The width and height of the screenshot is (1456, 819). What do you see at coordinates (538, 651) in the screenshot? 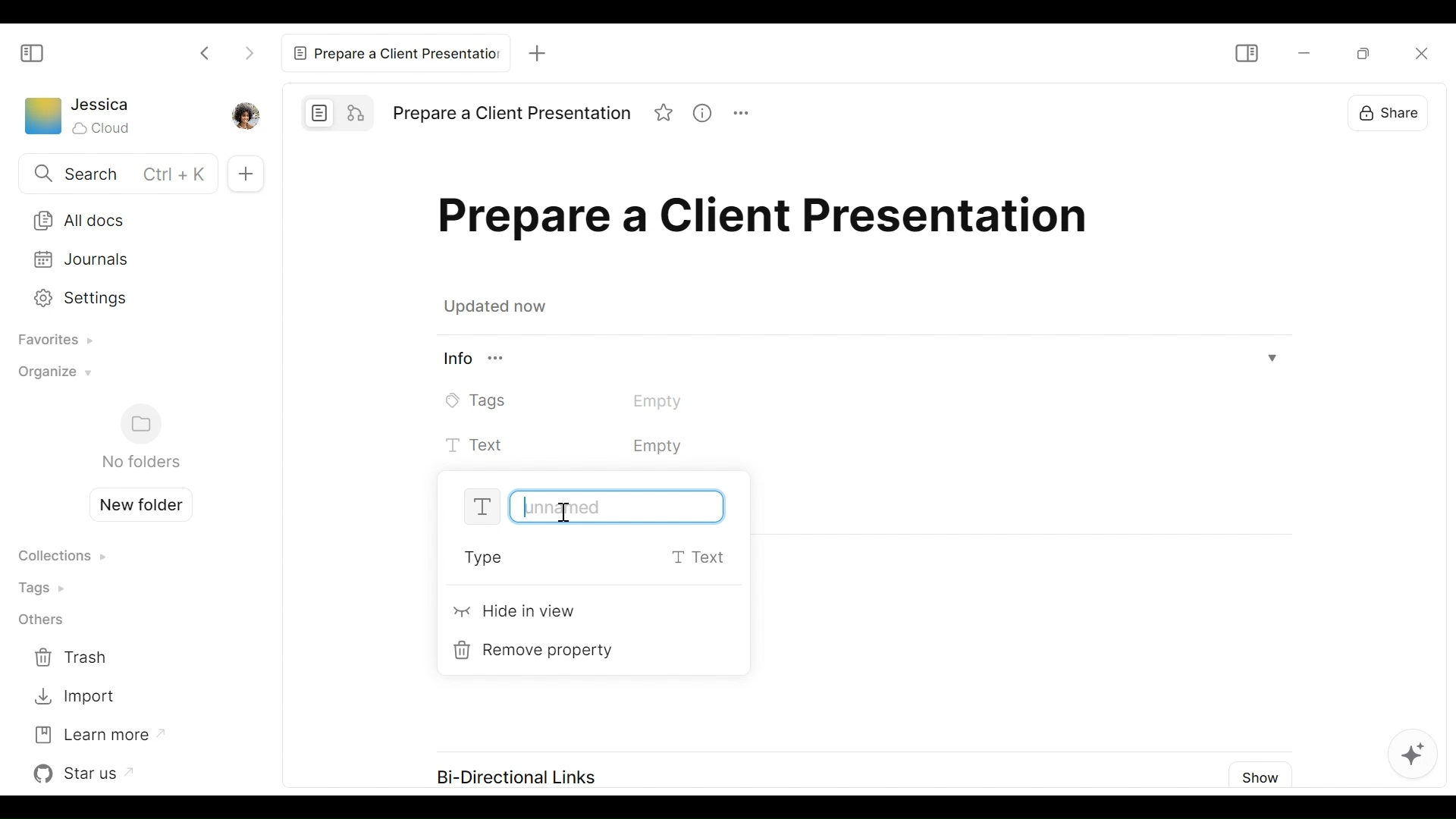
I see `Remove property` at bounding box center [538, 651].